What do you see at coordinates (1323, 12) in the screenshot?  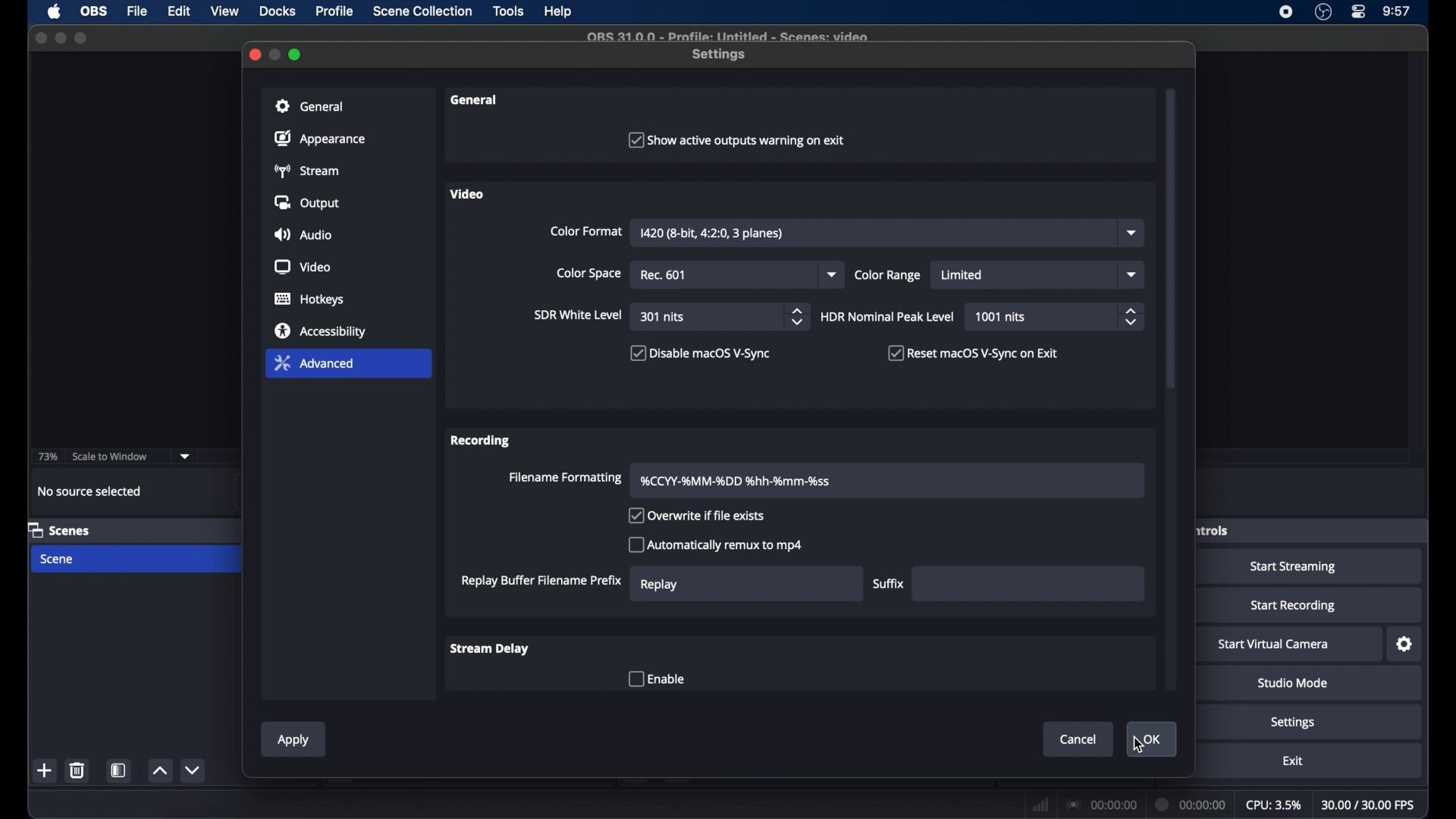 I see `obs studio` at bounding box center [1323, 12].